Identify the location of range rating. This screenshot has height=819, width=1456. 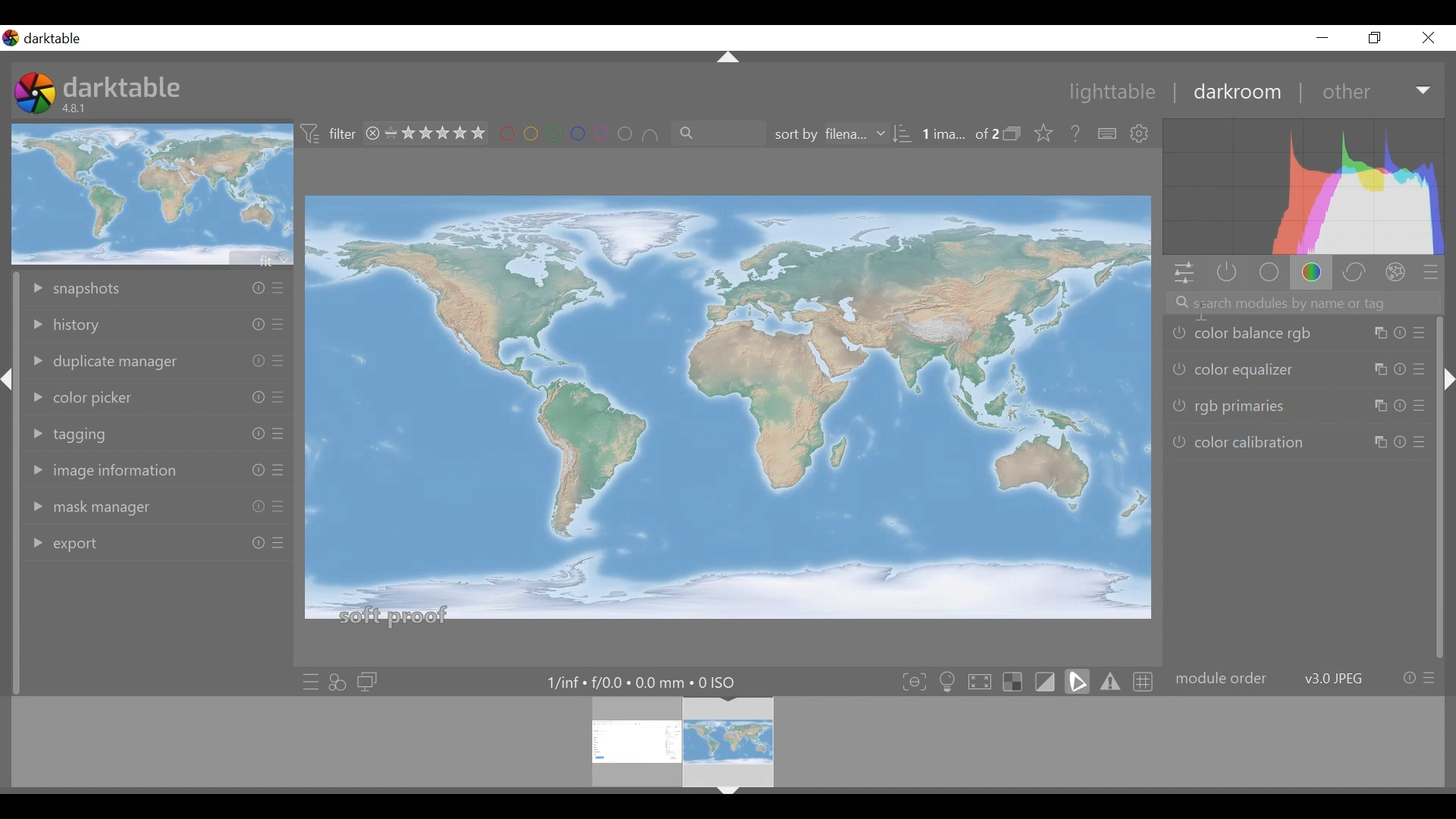
(428, 134).